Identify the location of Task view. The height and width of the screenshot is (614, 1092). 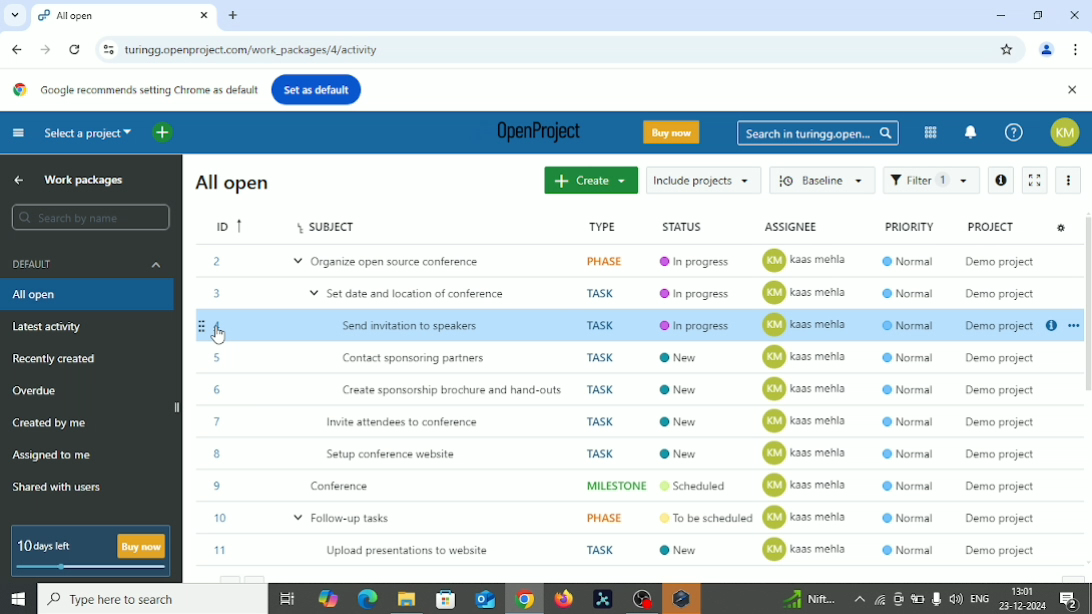
(287, 601).